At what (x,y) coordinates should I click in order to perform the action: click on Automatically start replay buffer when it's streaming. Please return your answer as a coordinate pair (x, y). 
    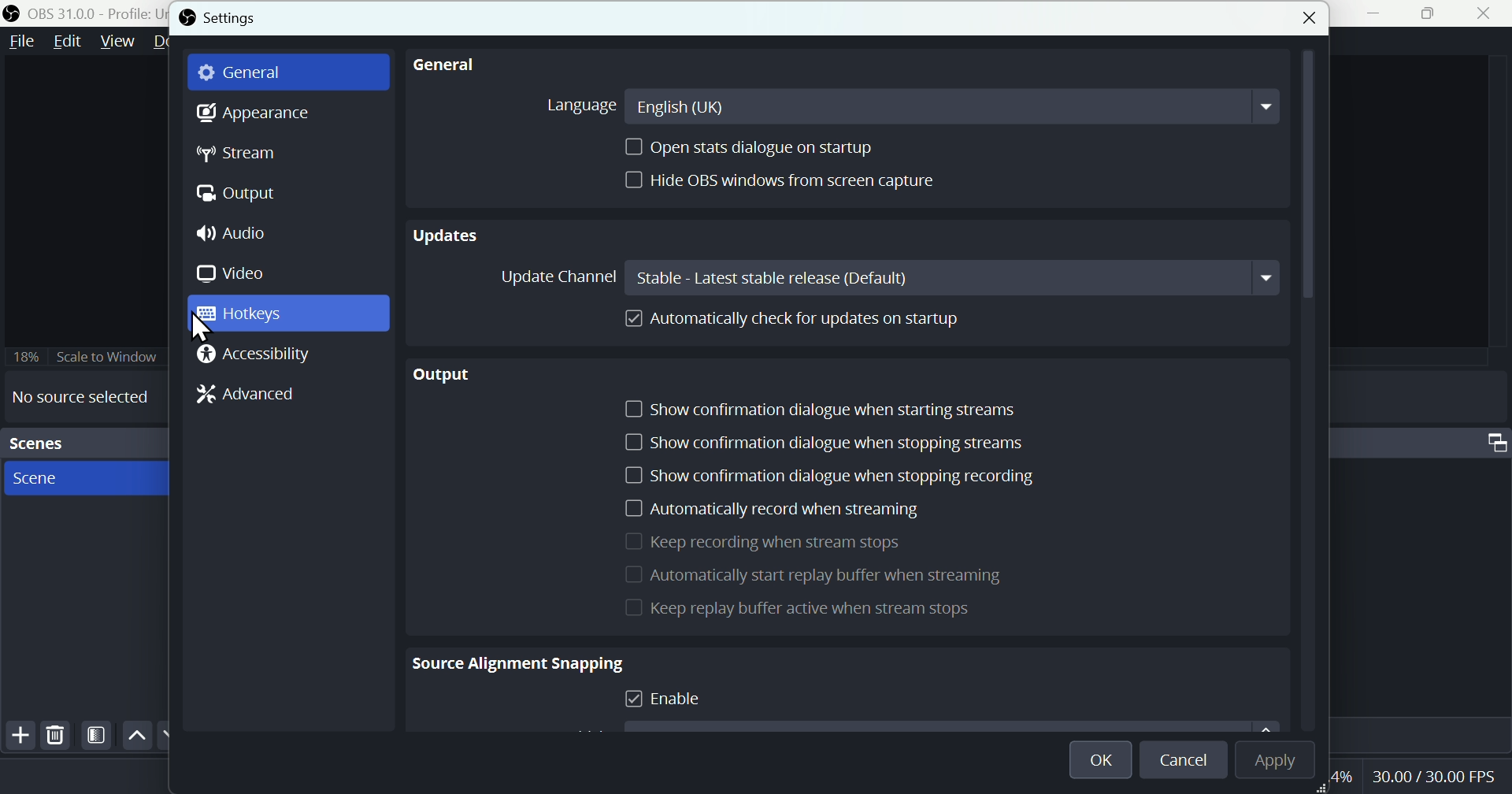
    Looking at the image, I should click on (812, 577).